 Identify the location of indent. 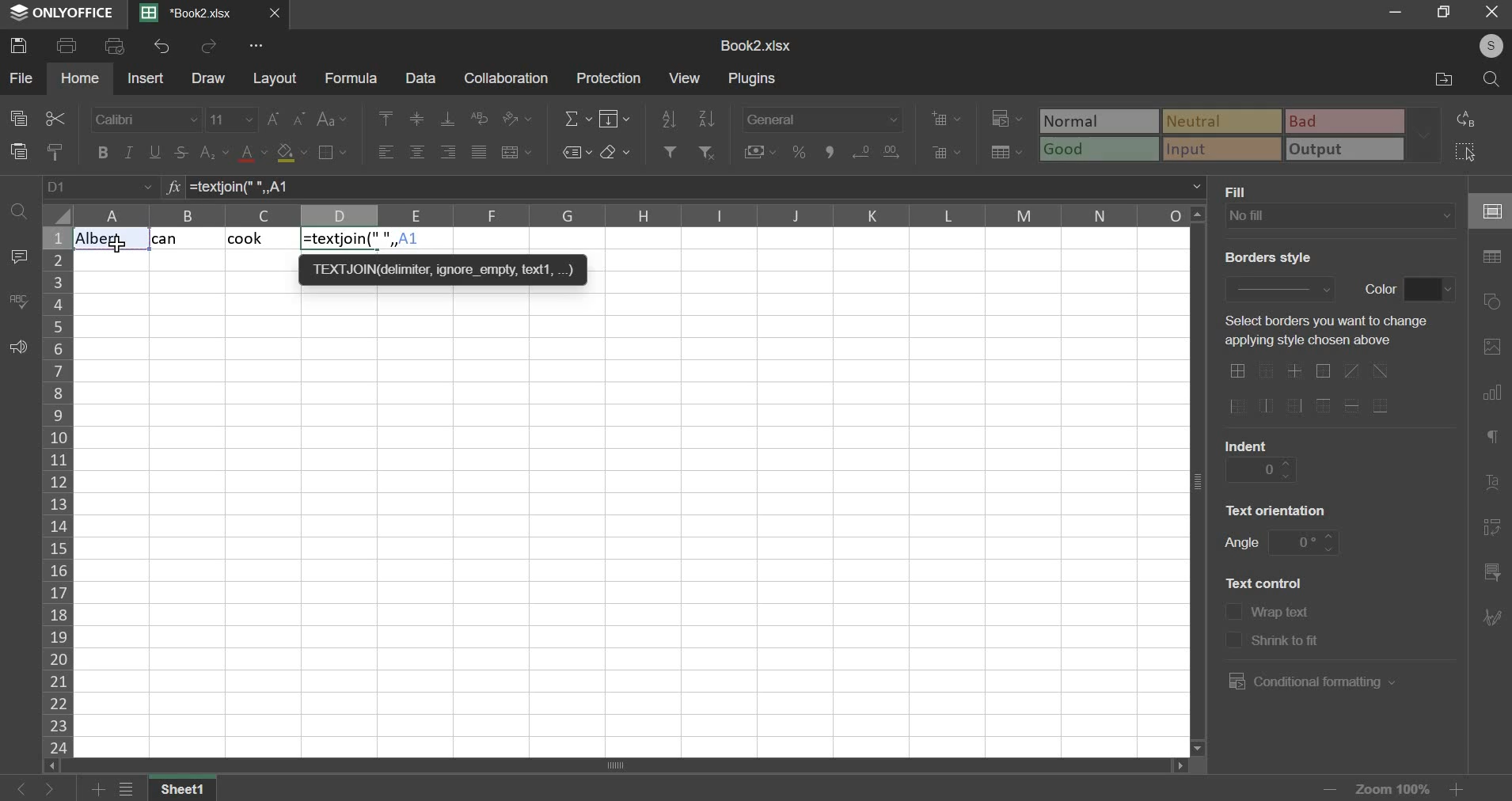
(1261, 469).